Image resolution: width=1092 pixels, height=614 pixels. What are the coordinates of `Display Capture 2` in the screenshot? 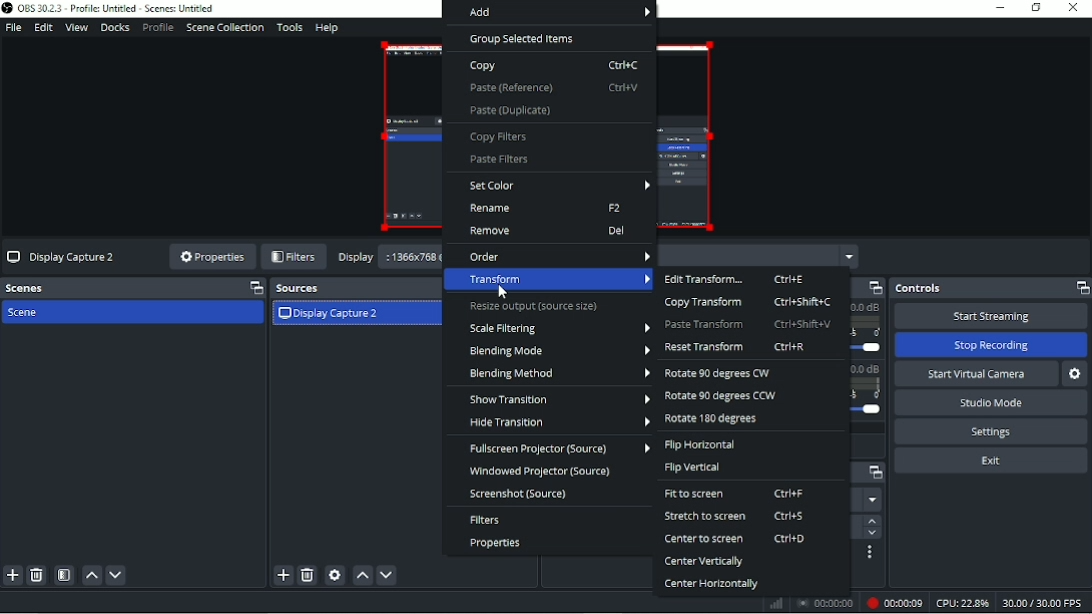 It's located at (329, 315).